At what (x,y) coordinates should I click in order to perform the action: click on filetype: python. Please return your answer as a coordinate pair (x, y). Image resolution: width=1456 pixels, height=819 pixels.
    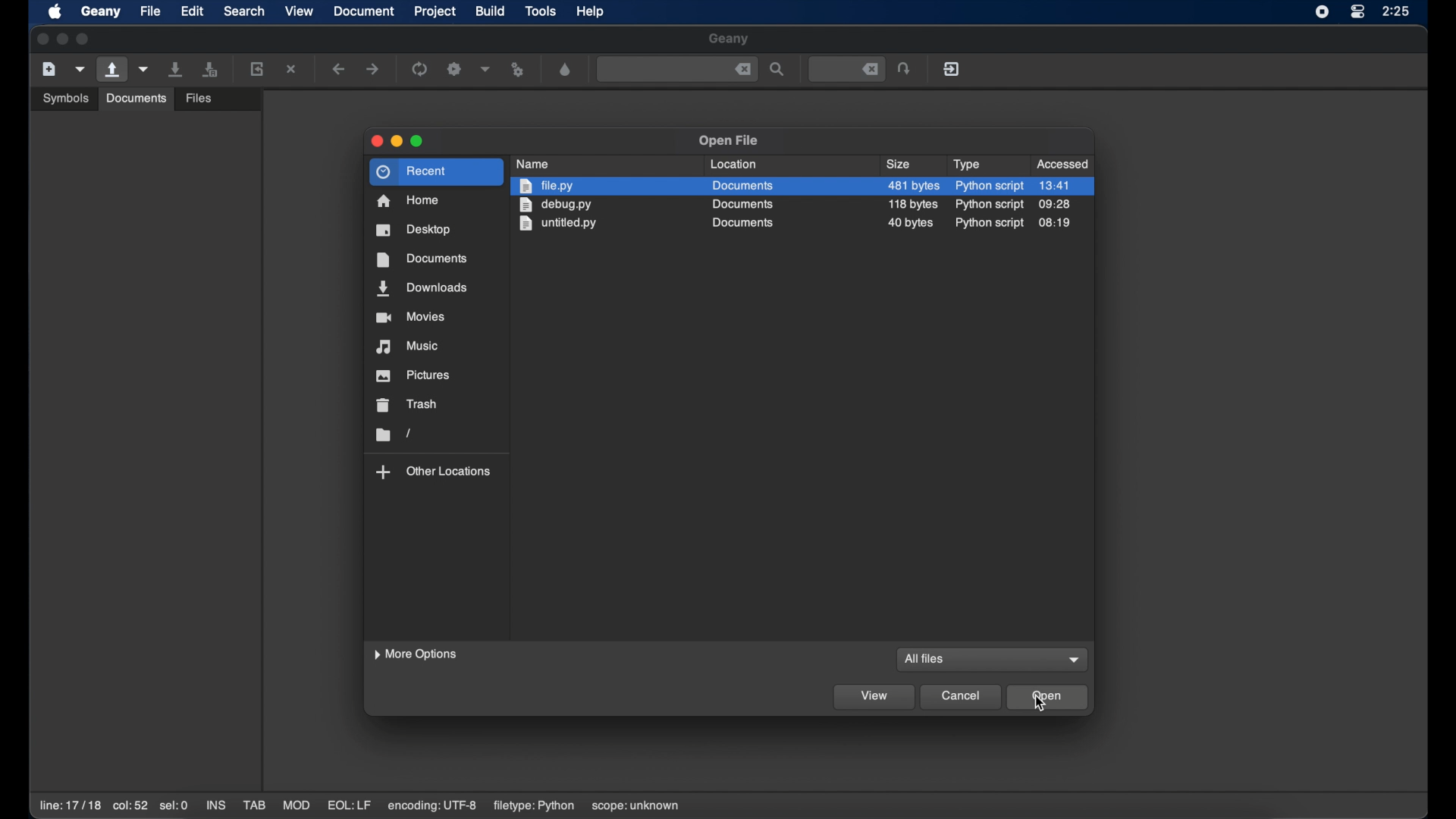
    Looking at the image, I should click on (532, 805).